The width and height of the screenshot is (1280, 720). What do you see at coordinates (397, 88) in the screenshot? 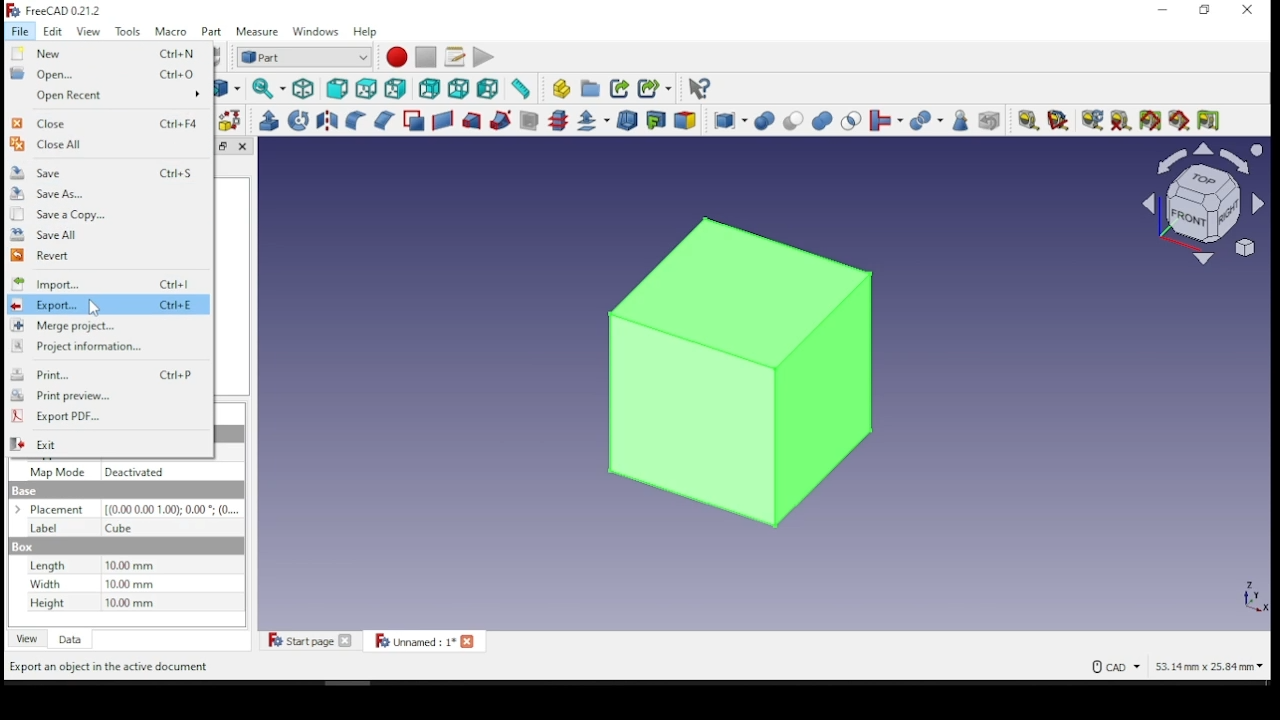
I see `right` at bounding box center [397, 88].